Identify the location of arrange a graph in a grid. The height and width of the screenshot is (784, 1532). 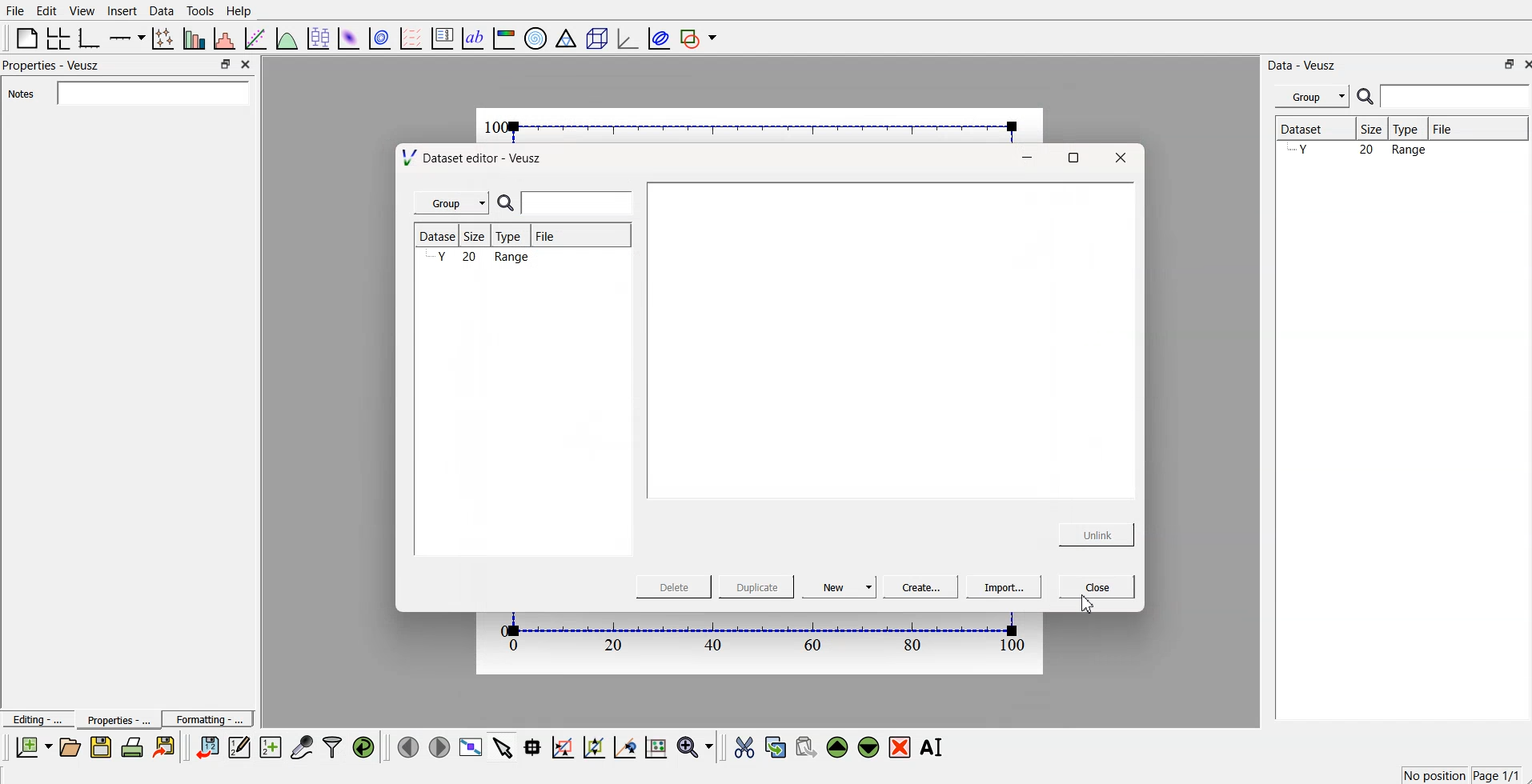
(59, 37).